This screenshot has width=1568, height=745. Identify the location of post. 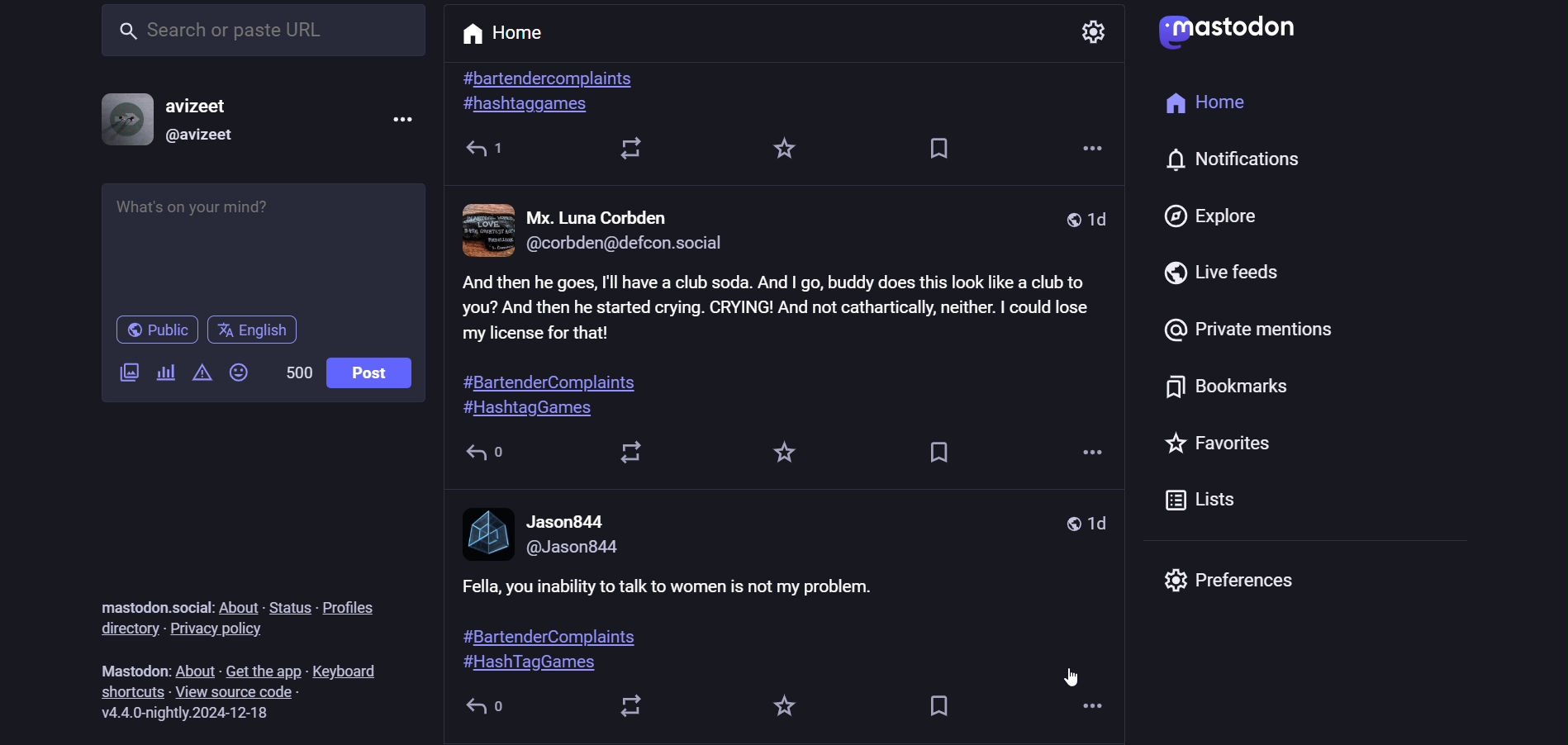
(369, 372).